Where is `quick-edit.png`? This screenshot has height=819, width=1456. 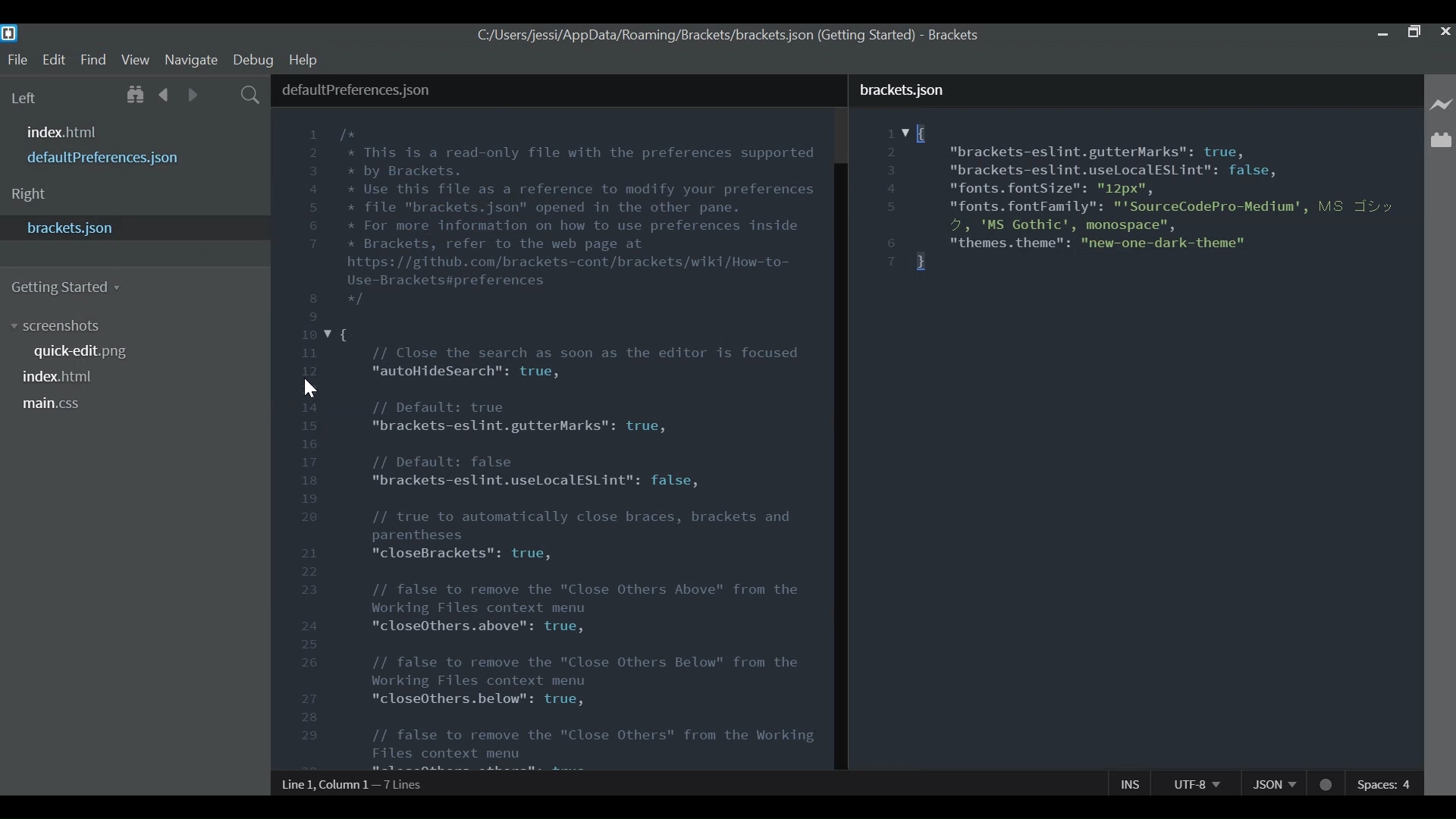
quick-edit.png is located at coordinates (83, 353).